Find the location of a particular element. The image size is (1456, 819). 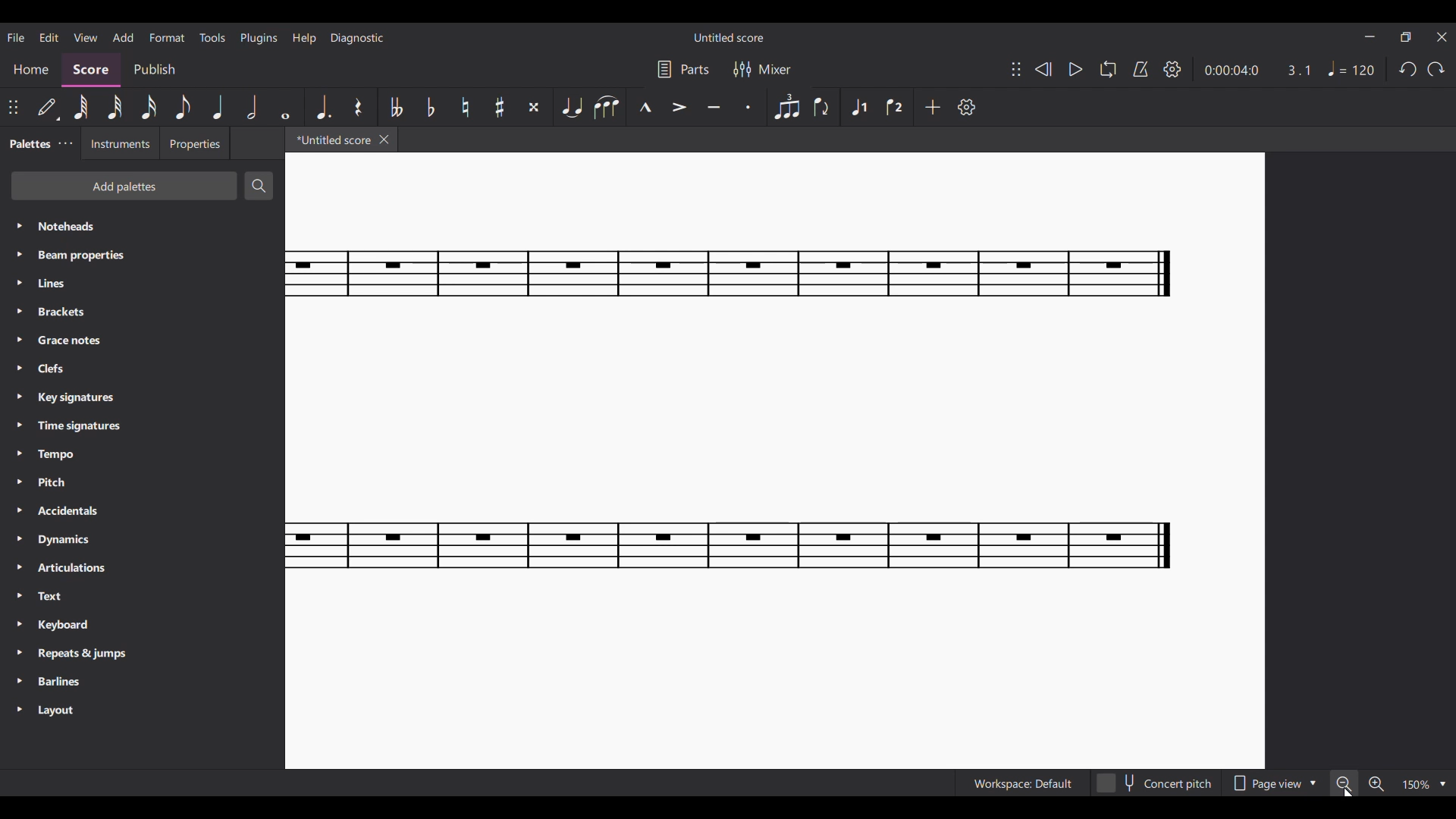

Dynamics is located at coordinates (142, 539).